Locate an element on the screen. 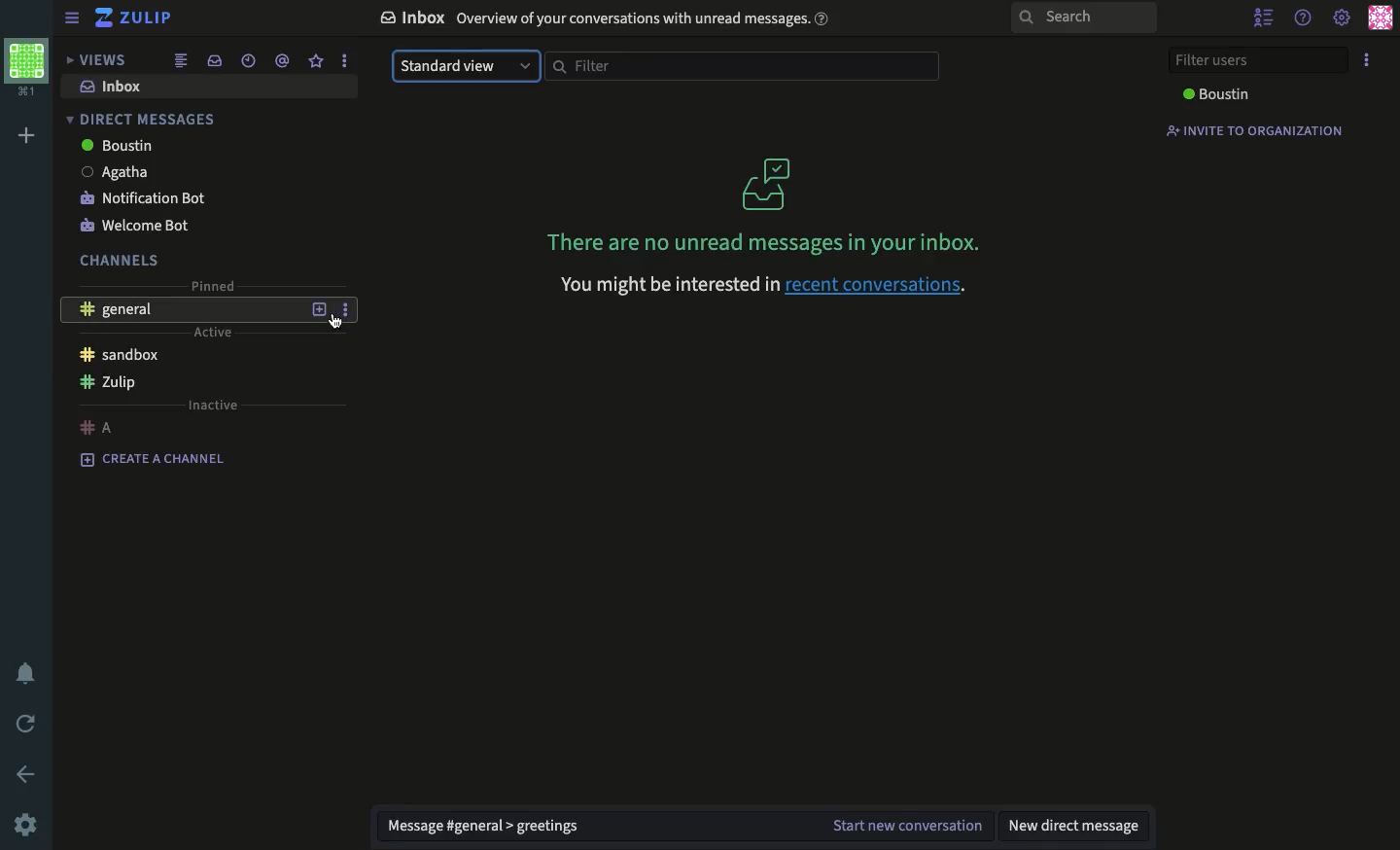  inbox is located at coordinates (114, 87).